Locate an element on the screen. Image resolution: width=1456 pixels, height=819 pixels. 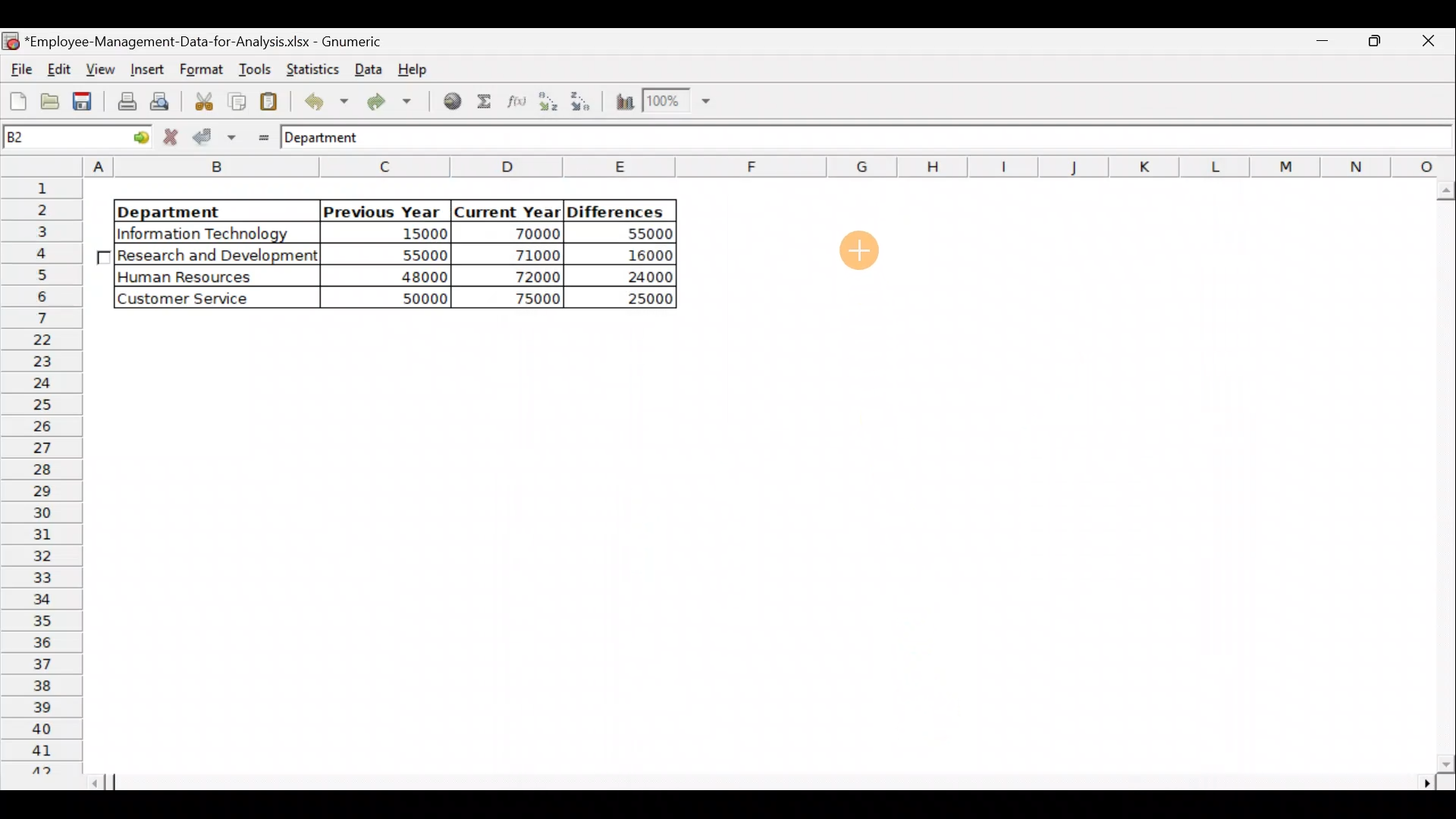
Cut the selection is located at coordinates (203, 99).